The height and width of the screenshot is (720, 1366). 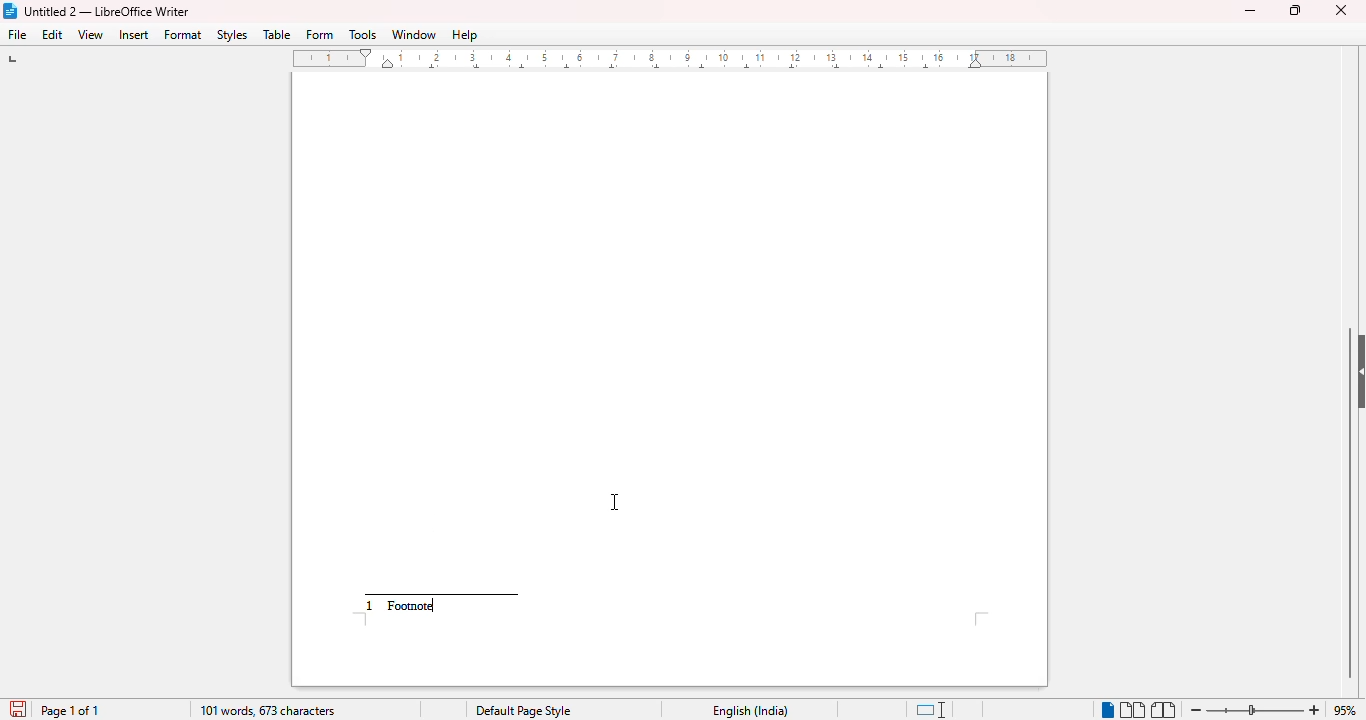 I want to click on LibreOffice logo, so click(x=11, y=11).